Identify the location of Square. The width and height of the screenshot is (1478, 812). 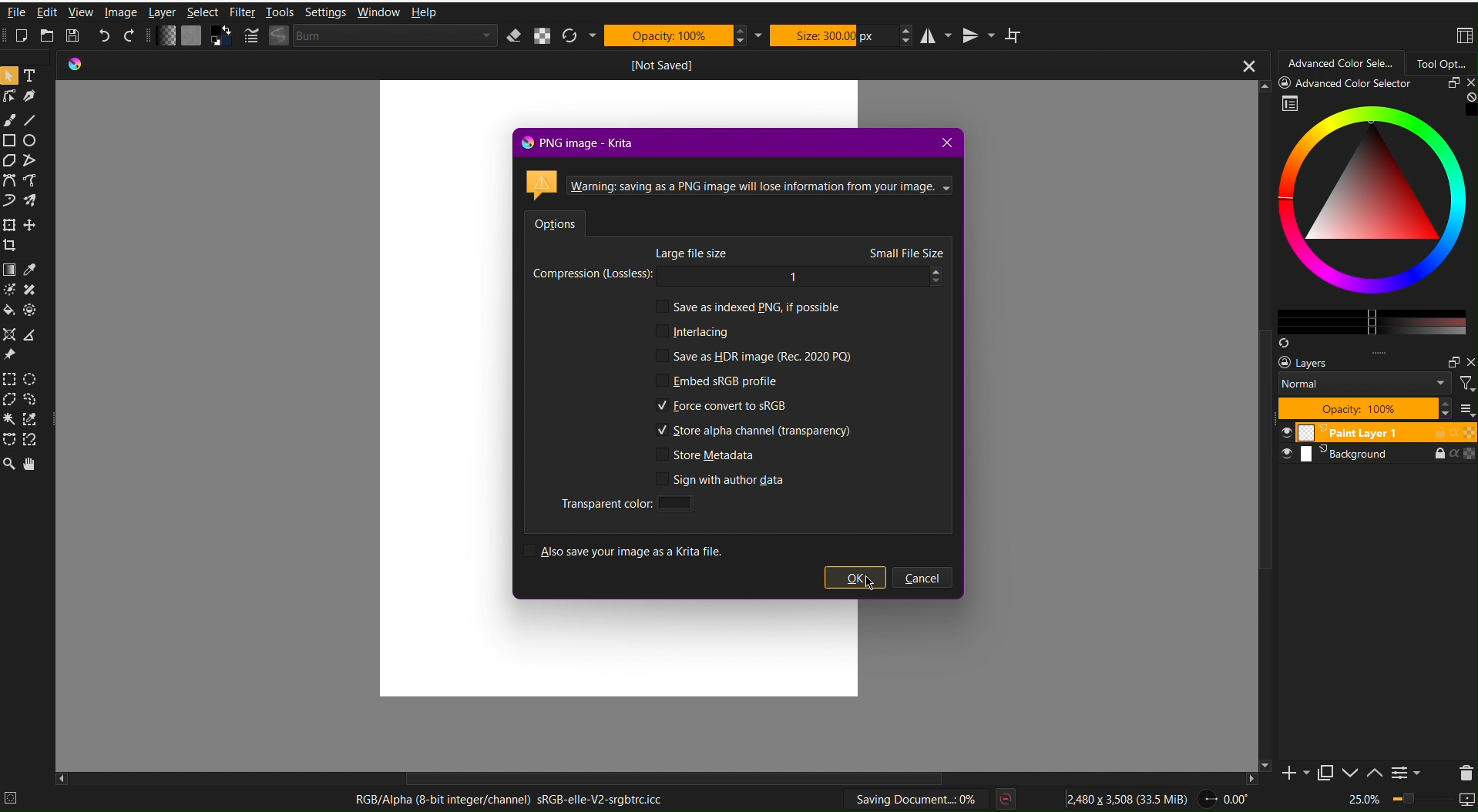
(11, 140).